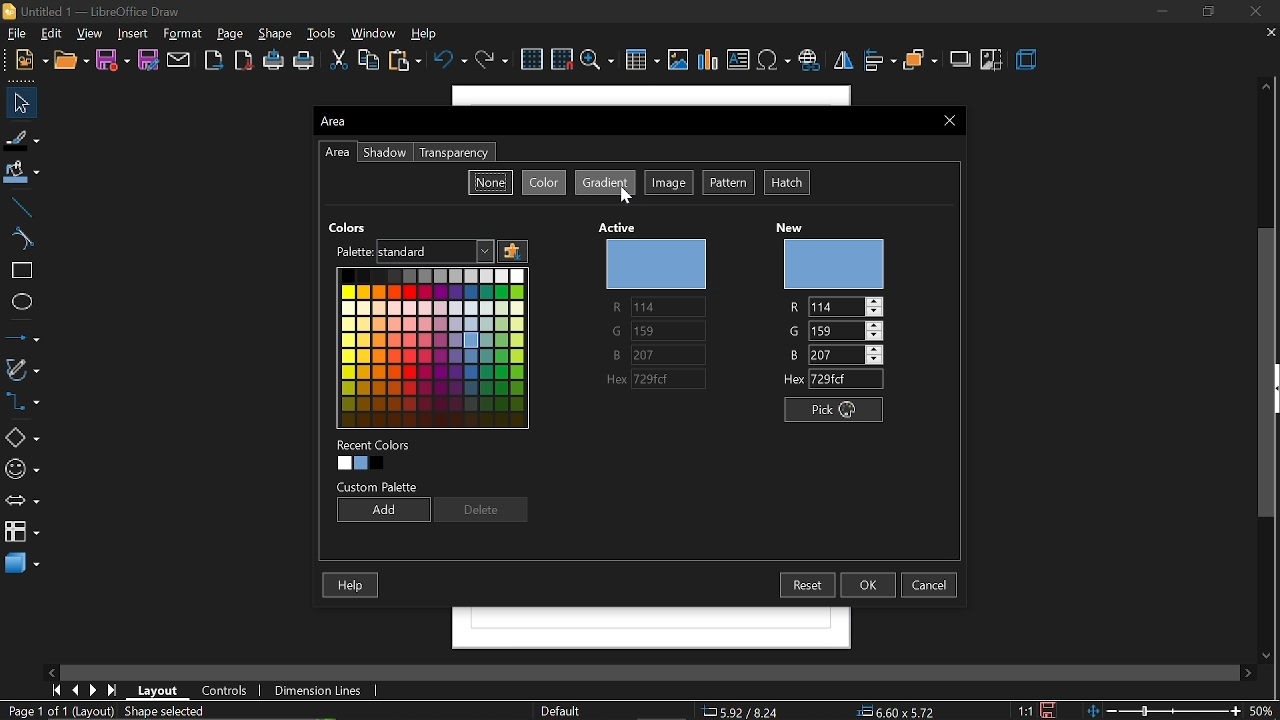 This screenshot has width=1280, height=720. Describe the element at coordinates (788, 183) in the screenshot. I see `hatch` at that location.